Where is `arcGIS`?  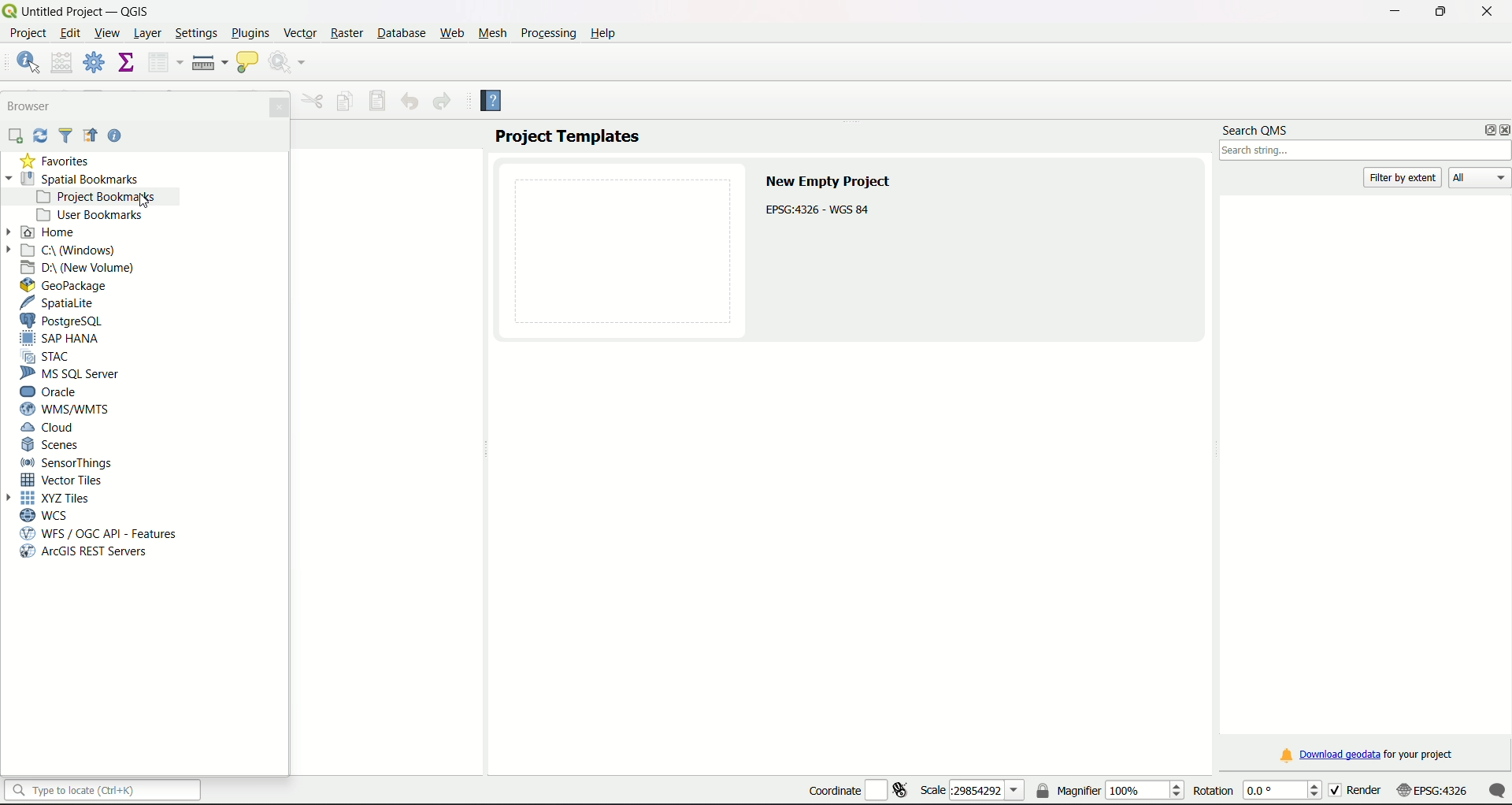 arcGIS is located at coordinates (84, 553).